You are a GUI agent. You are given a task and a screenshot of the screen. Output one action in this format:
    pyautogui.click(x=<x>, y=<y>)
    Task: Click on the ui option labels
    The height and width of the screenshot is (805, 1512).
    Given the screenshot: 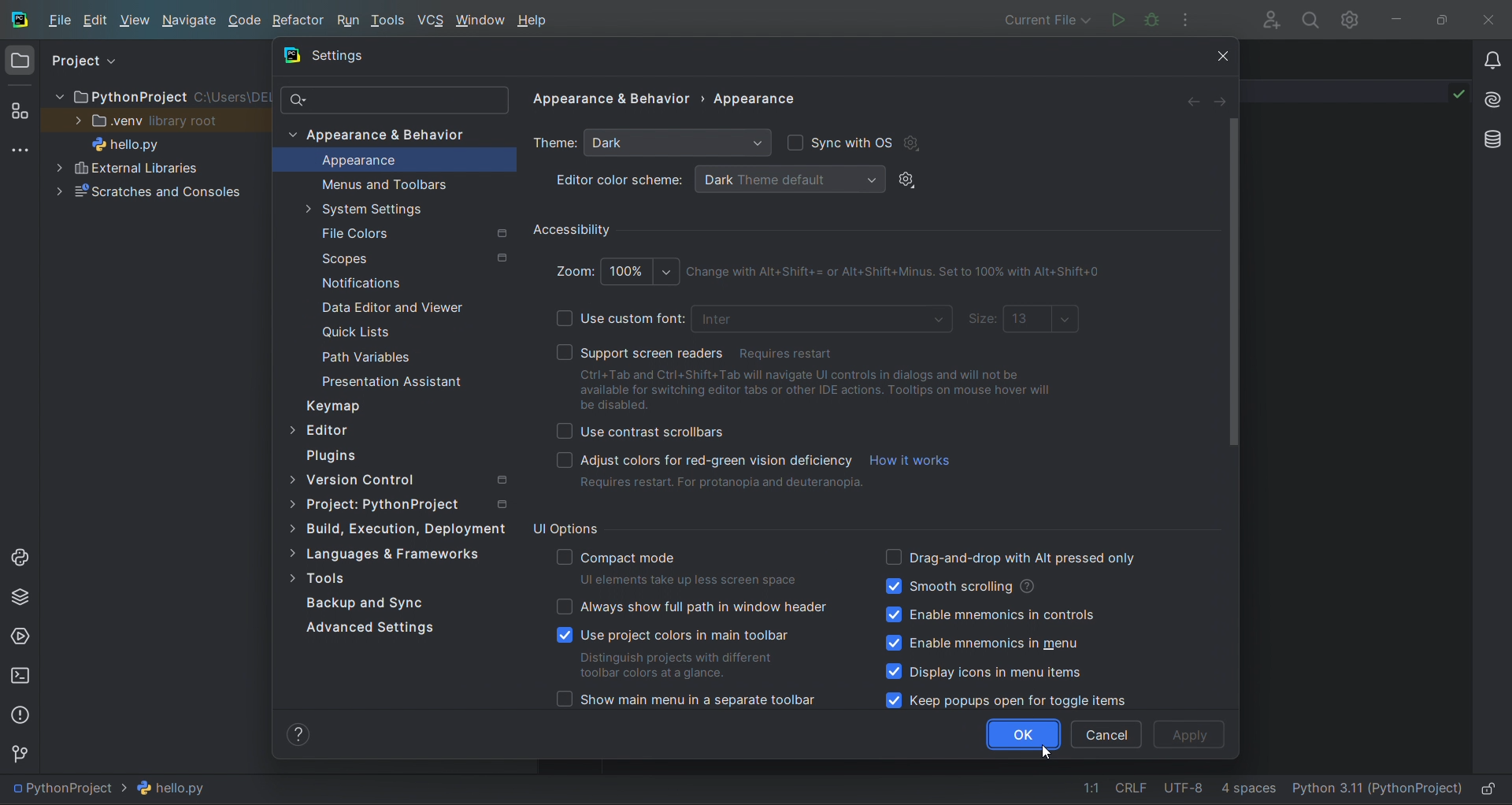 What is the action you would take?
    pyautogui.click(x=709, y=628)
    